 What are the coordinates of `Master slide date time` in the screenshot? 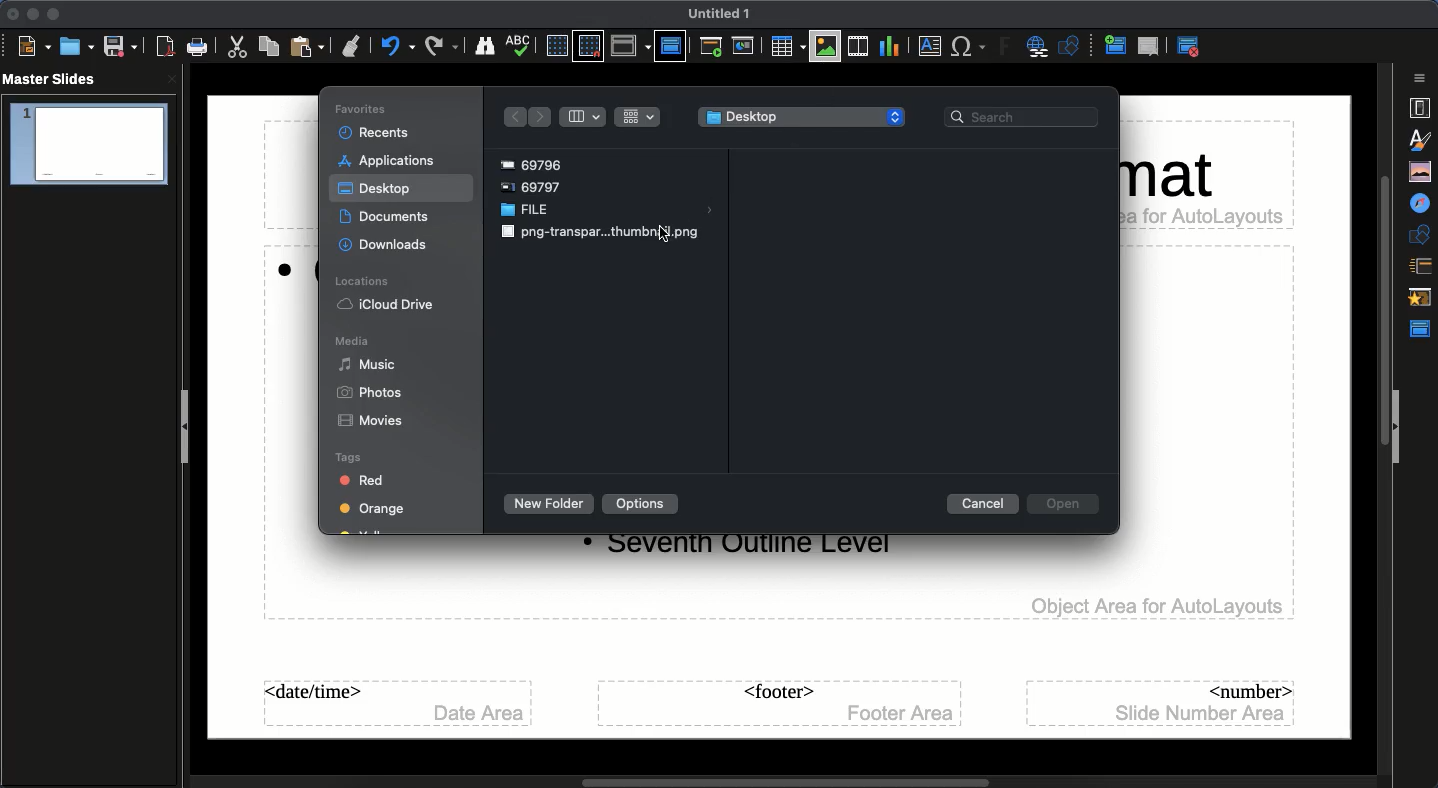 It's located at (394, 704).